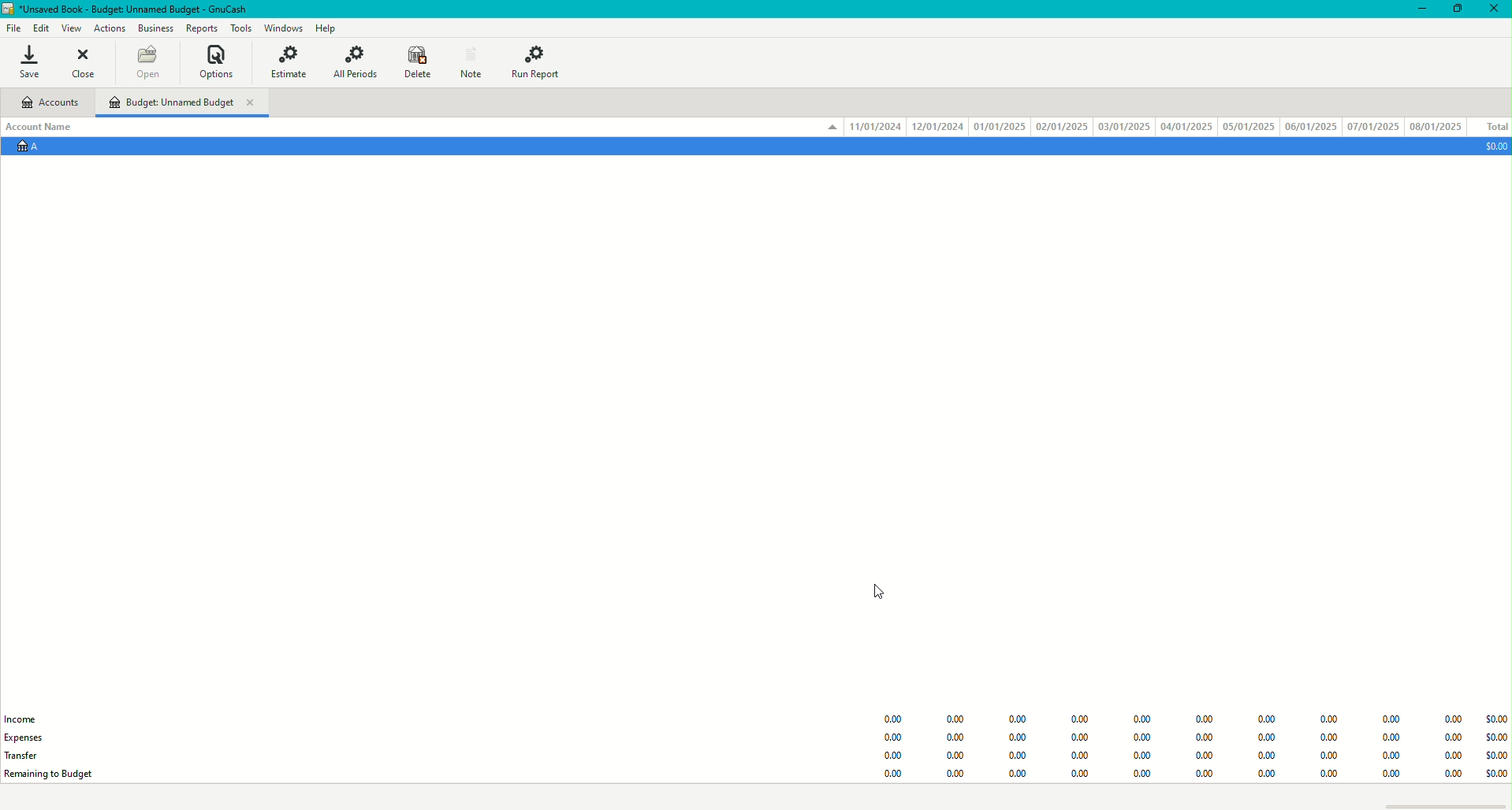 The image size is (1512, 810). I want to click on Budget Data, so click(1117, 740).